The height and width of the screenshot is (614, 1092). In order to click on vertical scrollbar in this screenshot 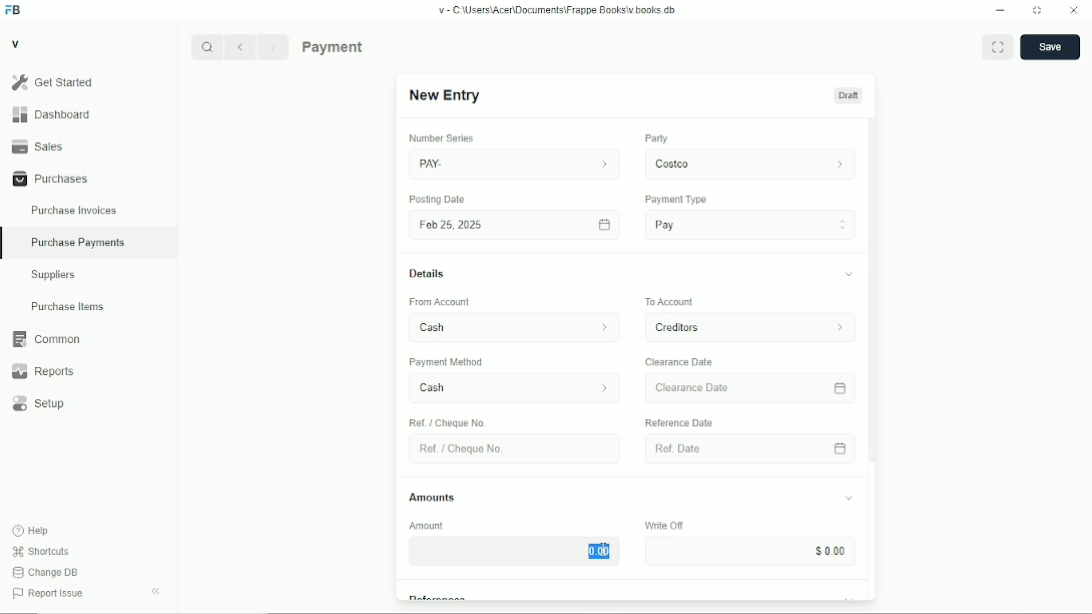, I will do `click(871, 293)`.